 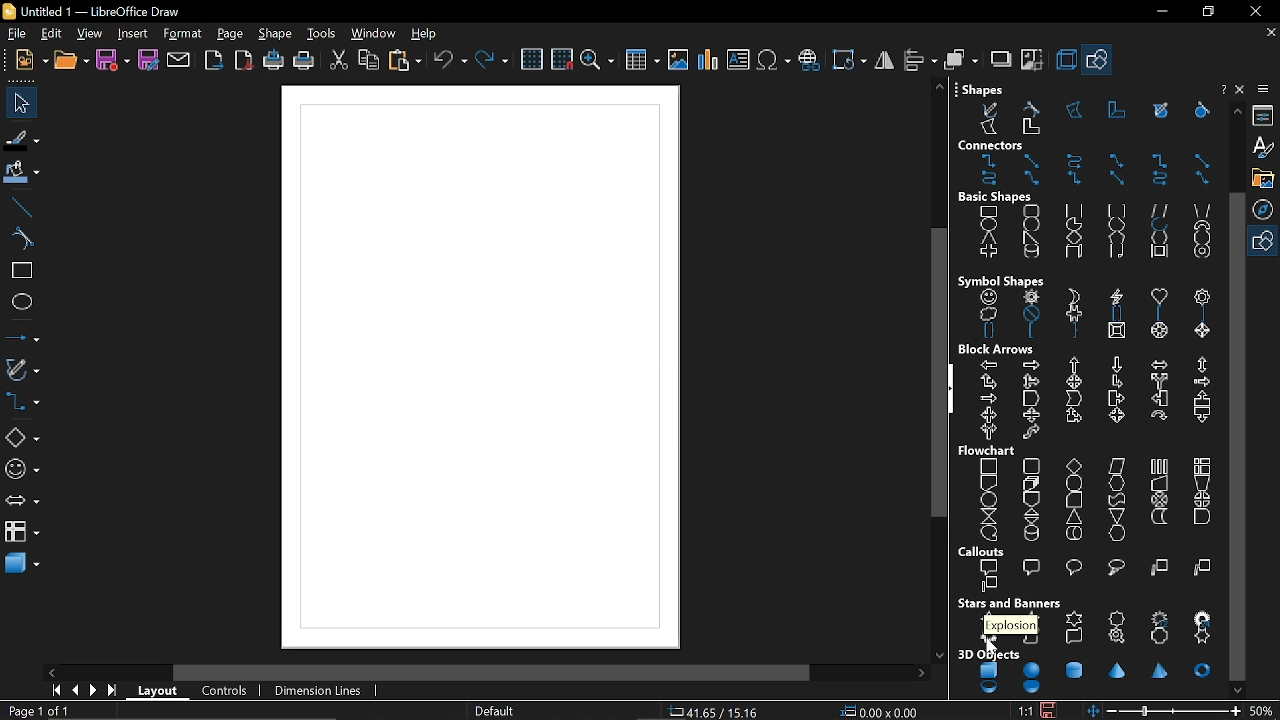 I want to click on attach, so click(x=180, y=61).